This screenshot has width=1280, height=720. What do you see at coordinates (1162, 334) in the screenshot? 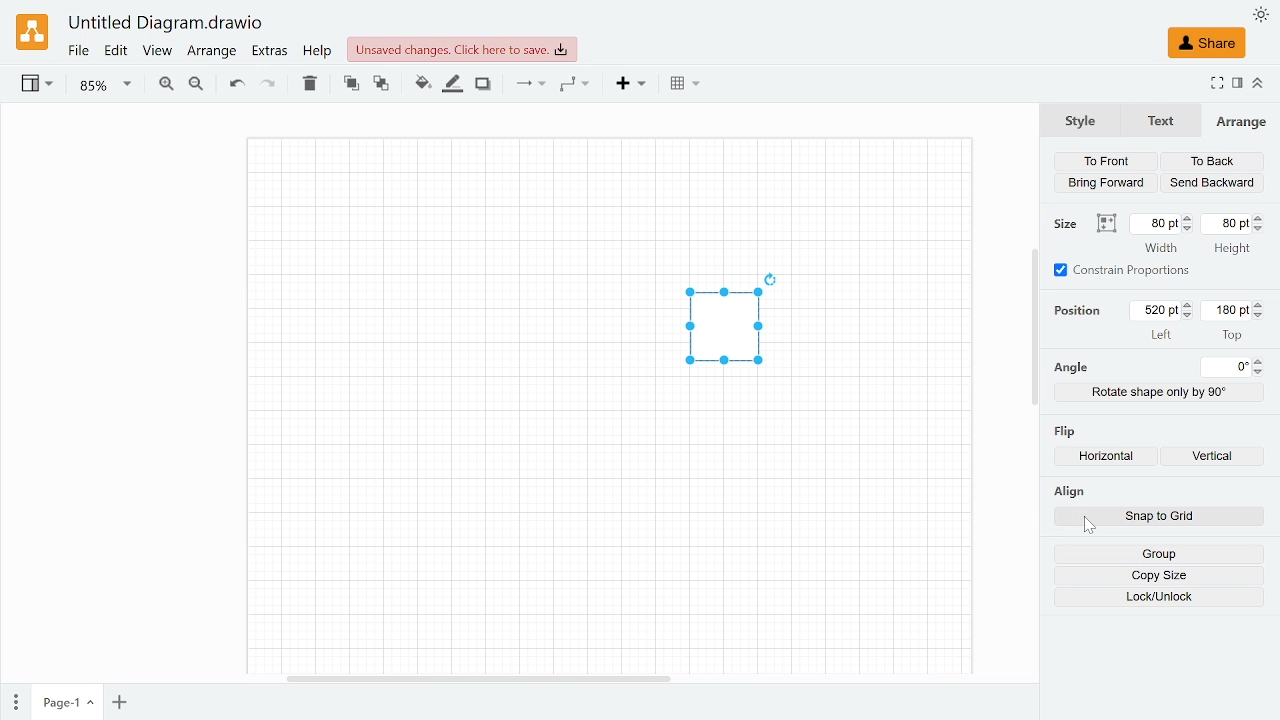
I see `left` at bounding box center [1162, 334].